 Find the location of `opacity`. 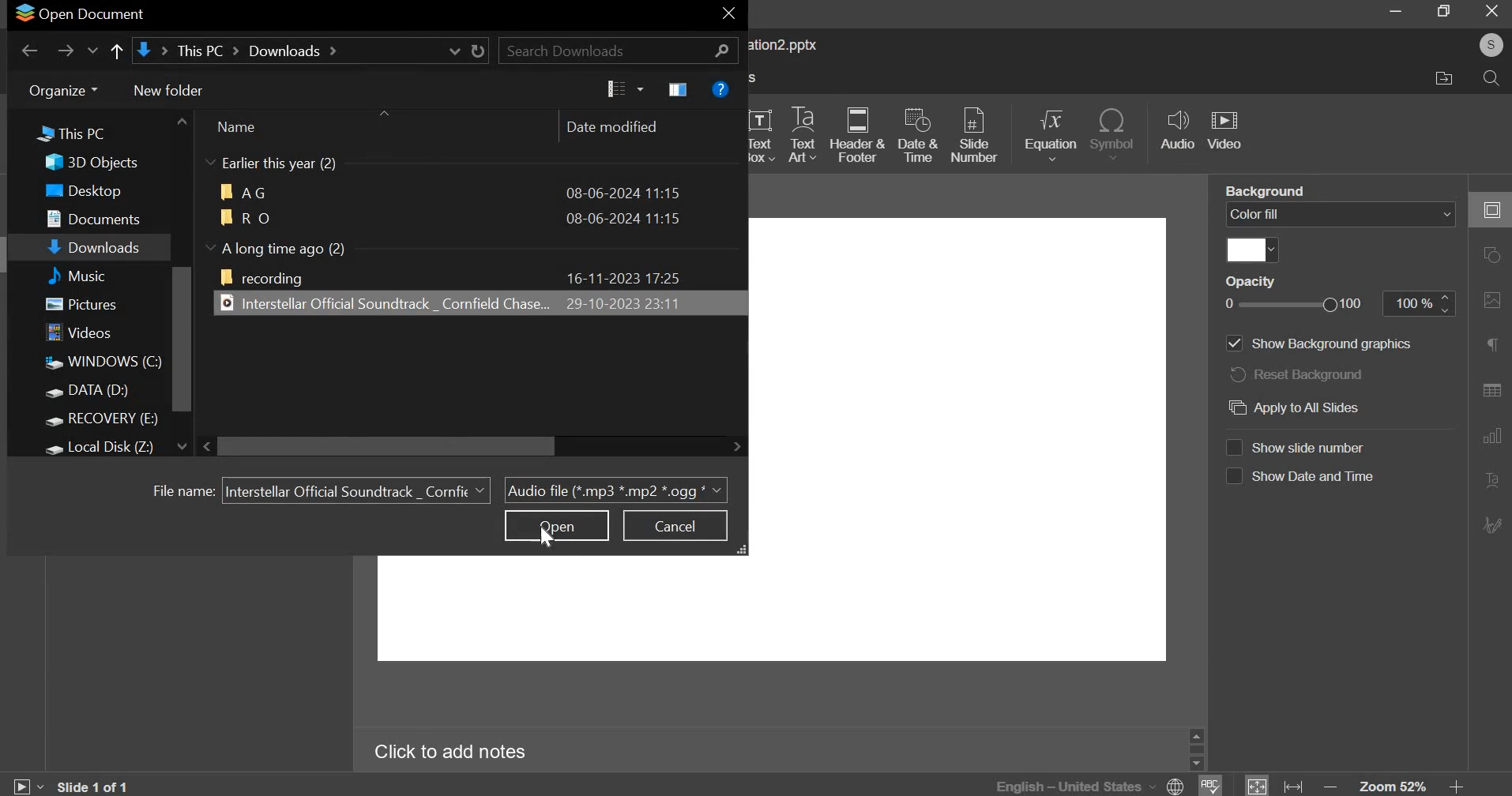

opacity is located at coordinates (1250, 282).